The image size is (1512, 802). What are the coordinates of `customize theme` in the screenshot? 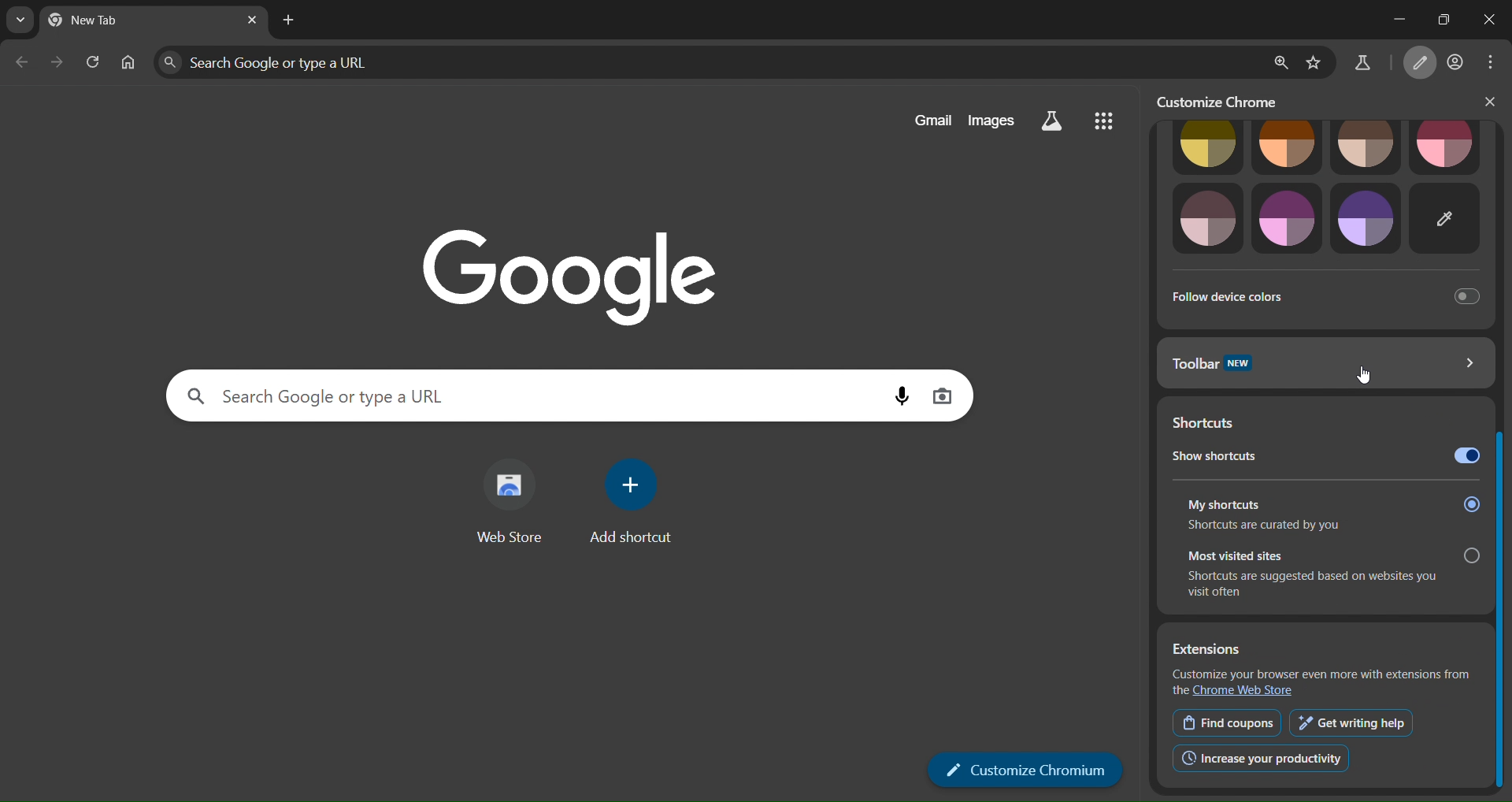 It's located at (1447, 219).